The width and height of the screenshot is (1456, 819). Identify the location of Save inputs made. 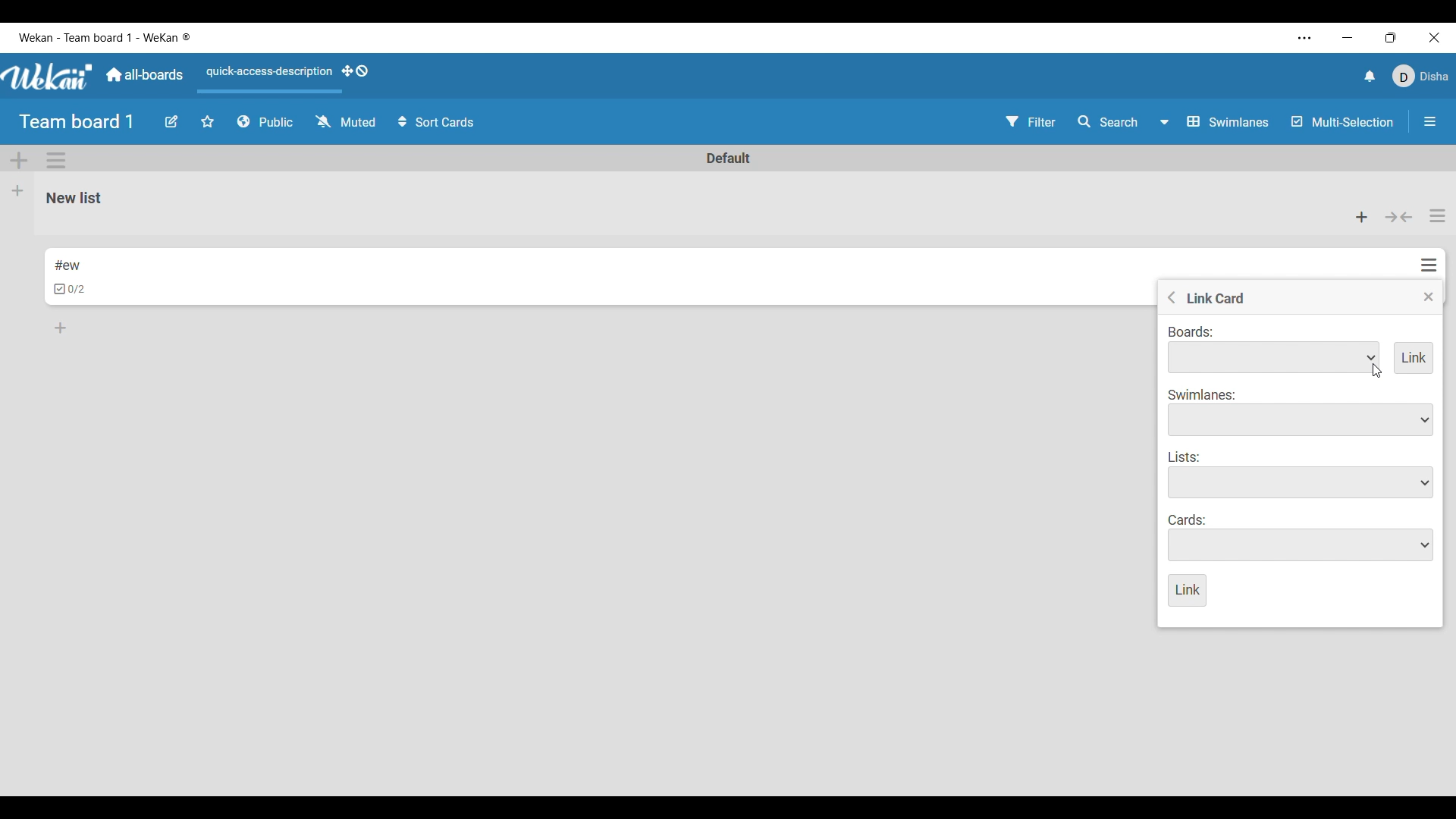
(1188, 591).